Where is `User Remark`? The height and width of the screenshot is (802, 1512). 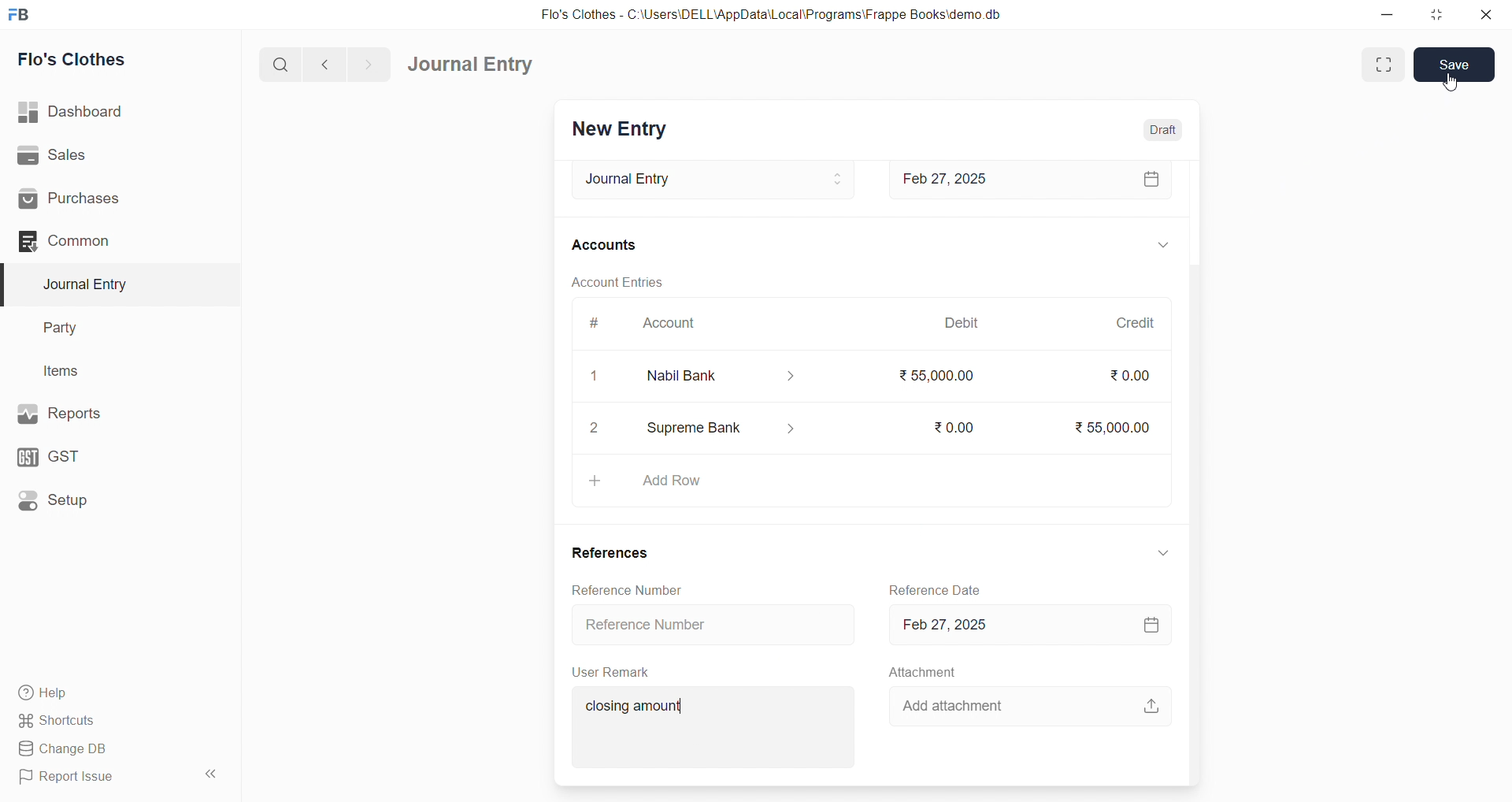 User Remark is located at coordinates (610, 671).